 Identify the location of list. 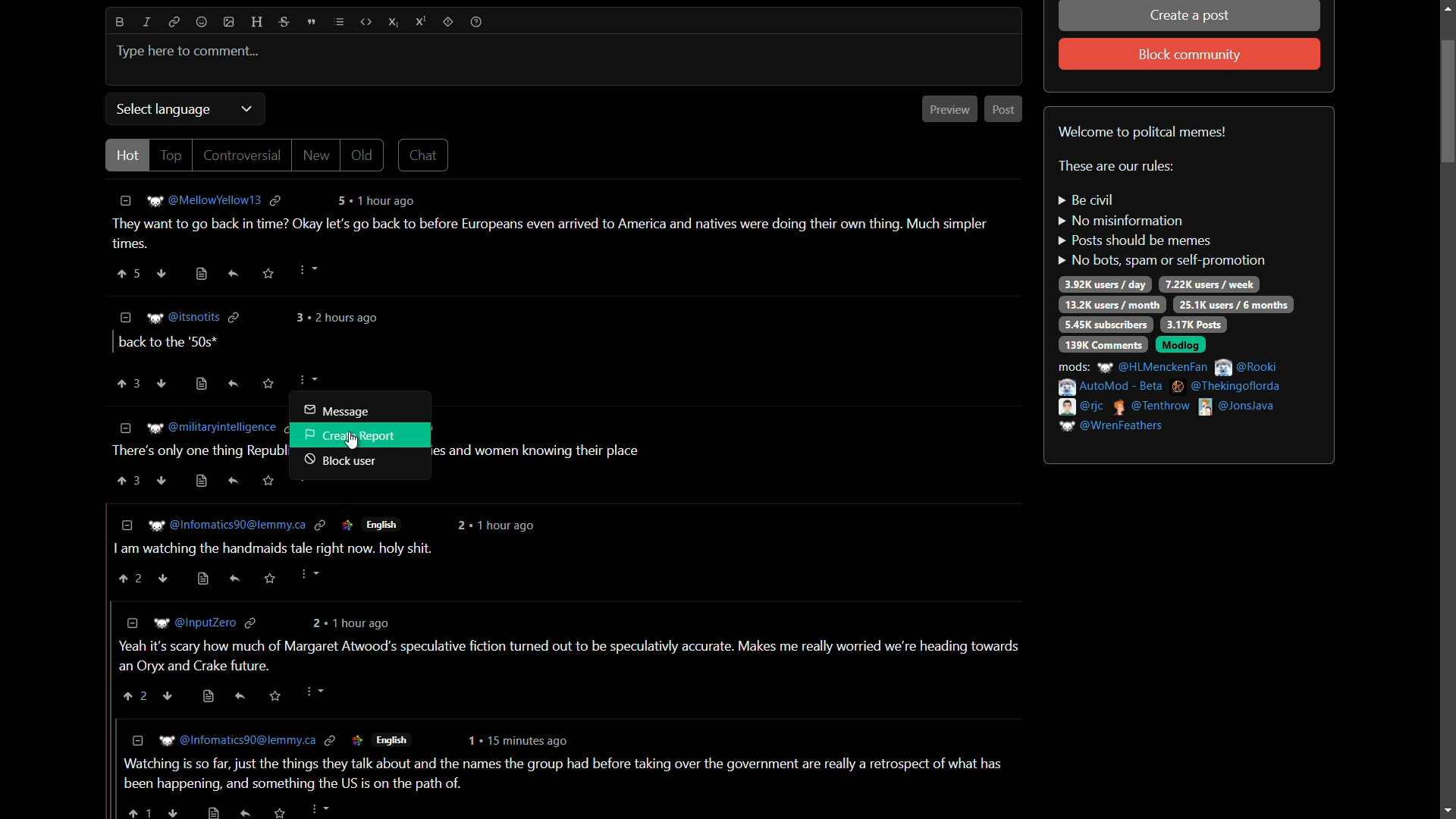
(337, 22).